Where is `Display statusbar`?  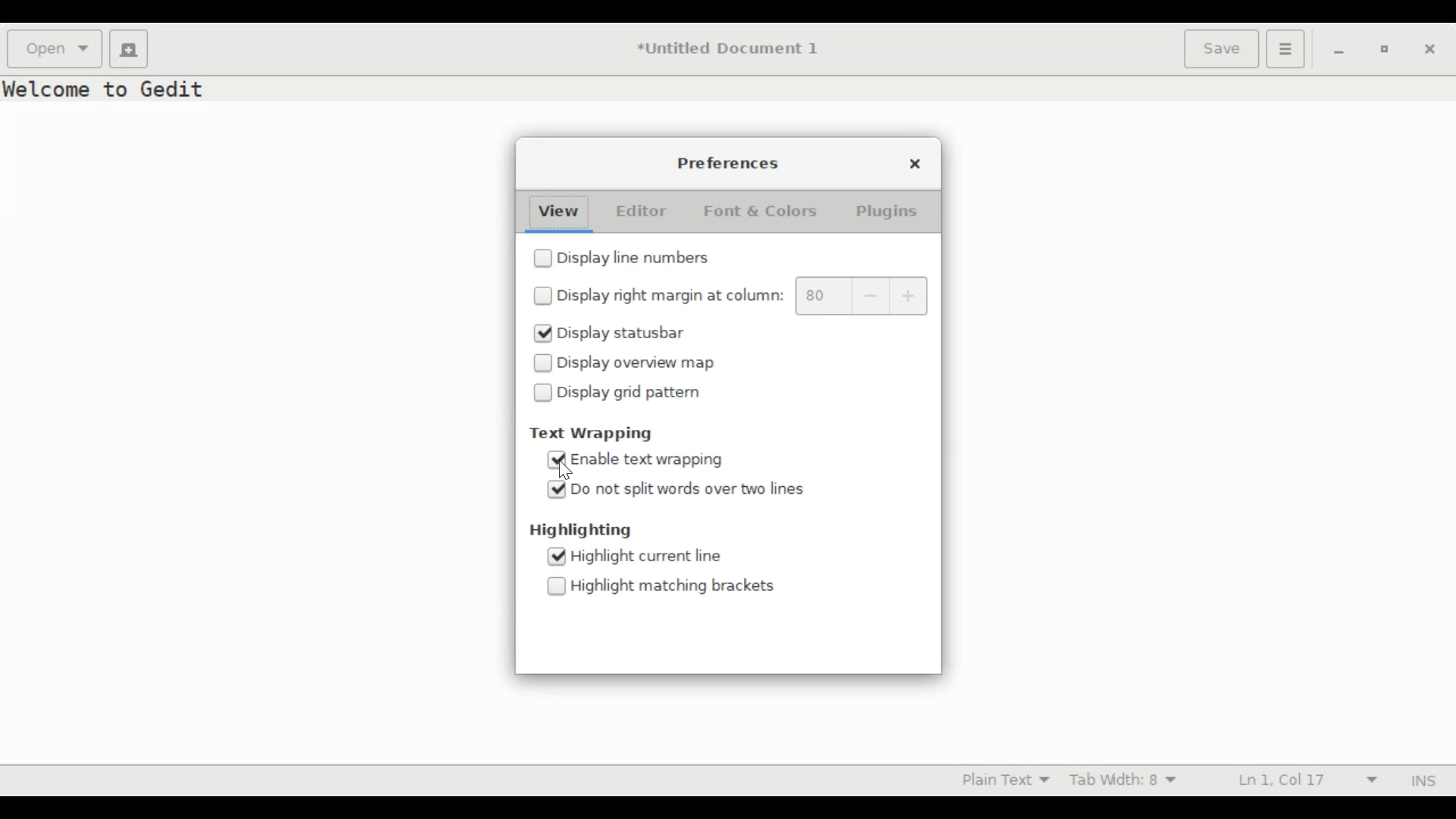 Display statusbar is located at coordinates (623, 331).